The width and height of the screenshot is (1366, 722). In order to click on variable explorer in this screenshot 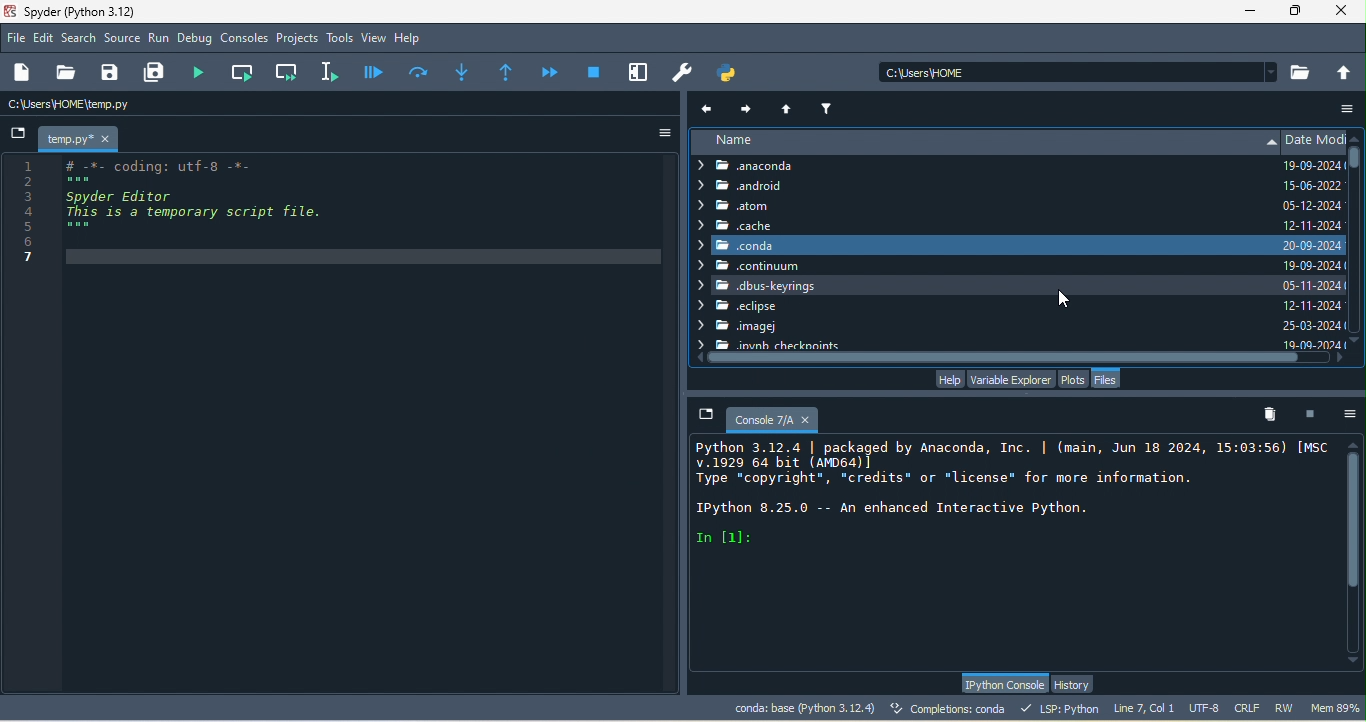, I will do `click(1010, 378)`.